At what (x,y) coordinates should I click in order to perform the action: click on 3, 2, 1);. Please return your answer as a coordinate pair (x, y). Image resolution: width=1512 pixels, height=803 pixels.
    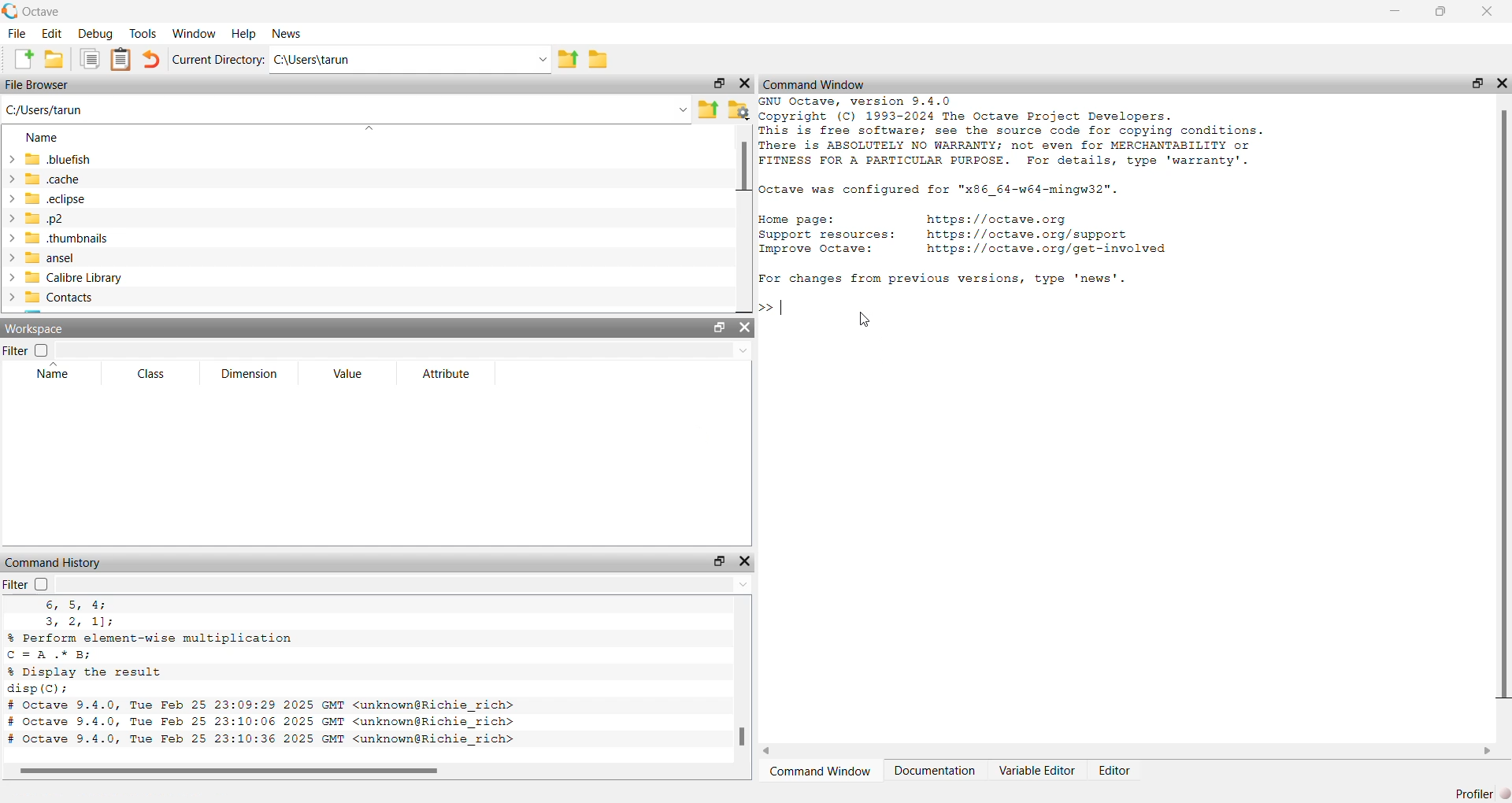
    Looking at the image, I should click on (76, 622).